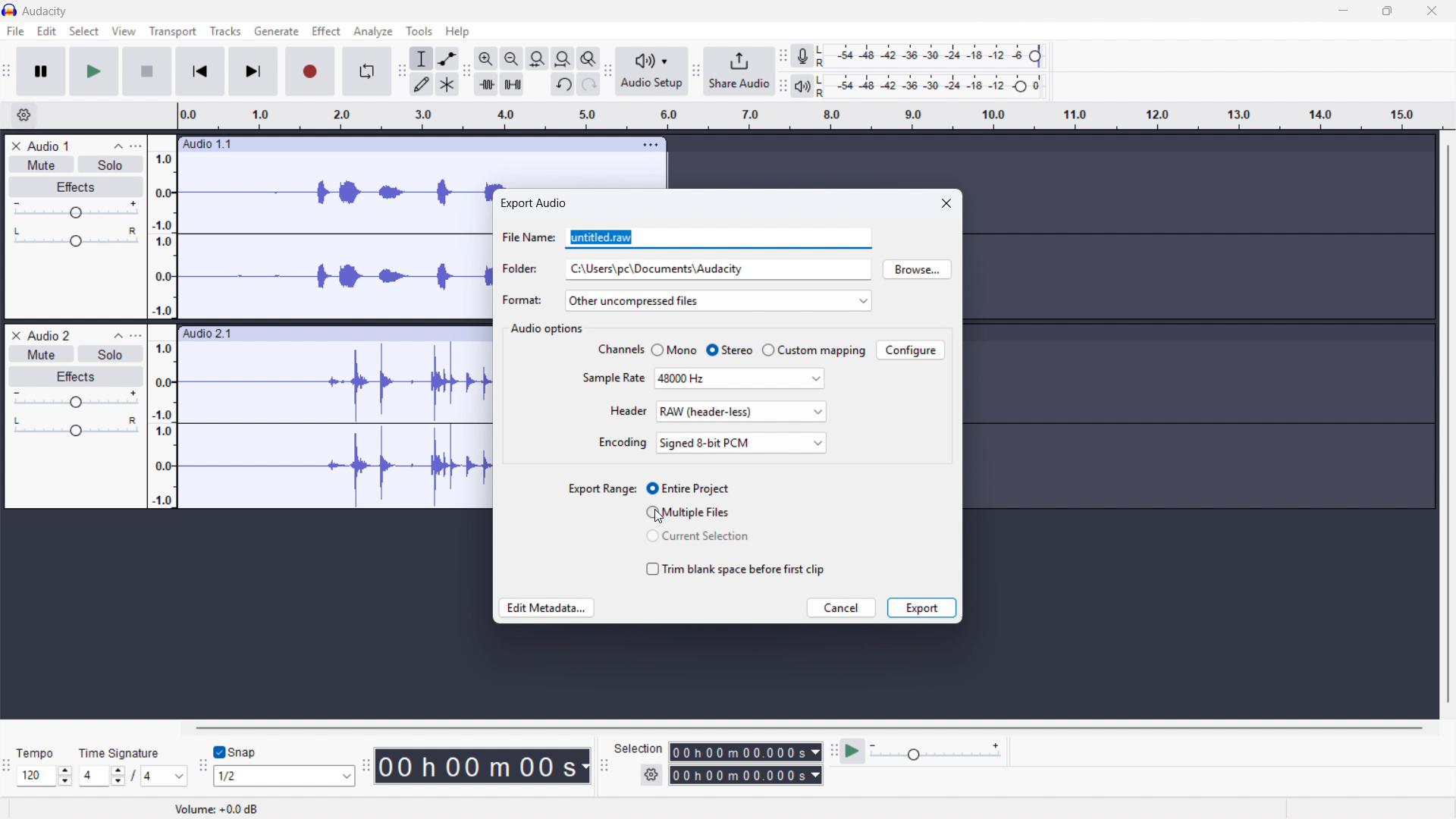 Image resolution: width=1456 pixels, height=819 pixels. What do you see at coordinates (121, 753) in the screenshot?
I see `time signature` at bounding box center [121, 753].